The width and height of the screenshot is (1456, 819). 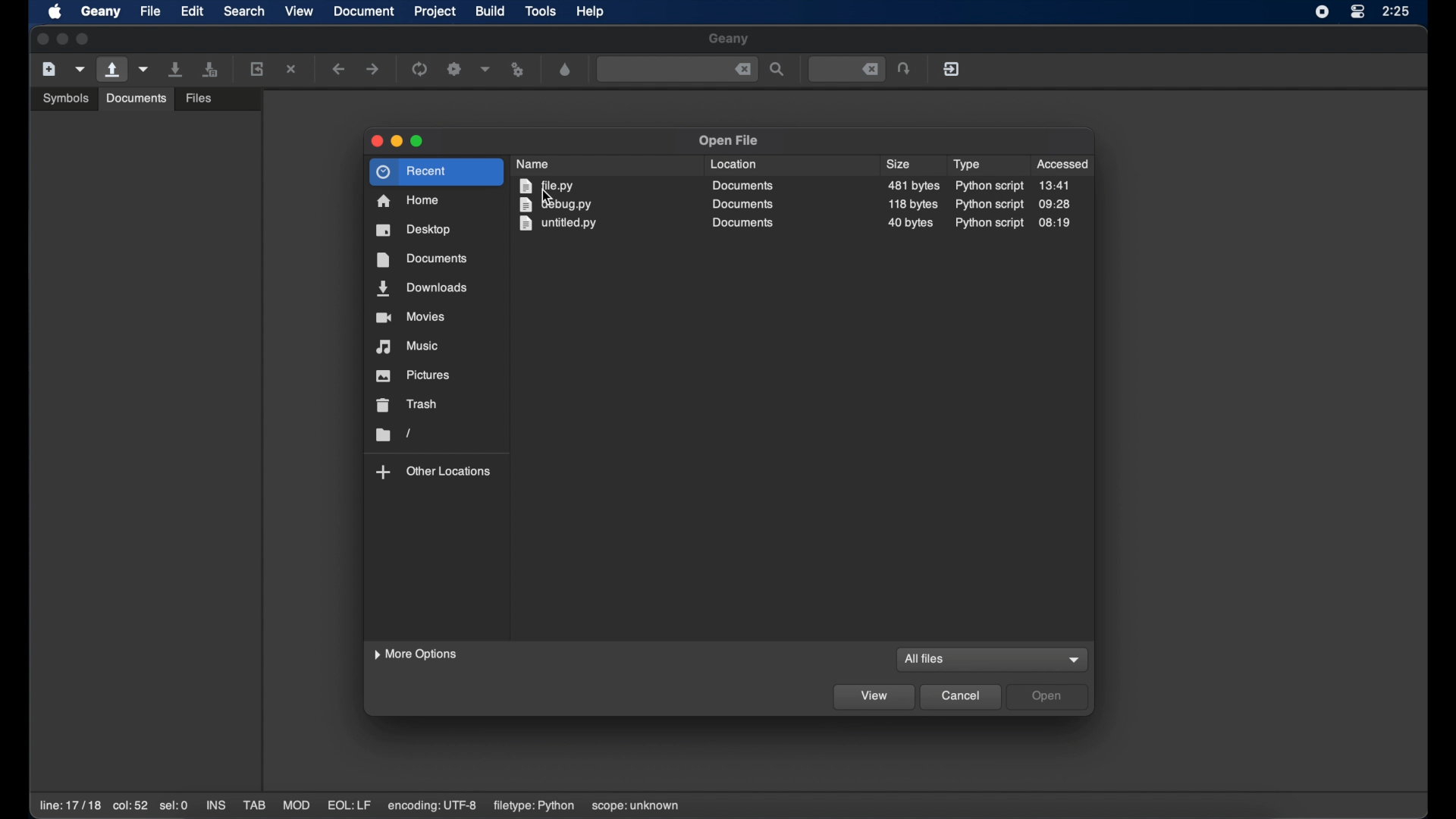 What do you see at coordinates (113, 70) in the screenshot?
I see `open an existing file` at bounding box center [113, 70].